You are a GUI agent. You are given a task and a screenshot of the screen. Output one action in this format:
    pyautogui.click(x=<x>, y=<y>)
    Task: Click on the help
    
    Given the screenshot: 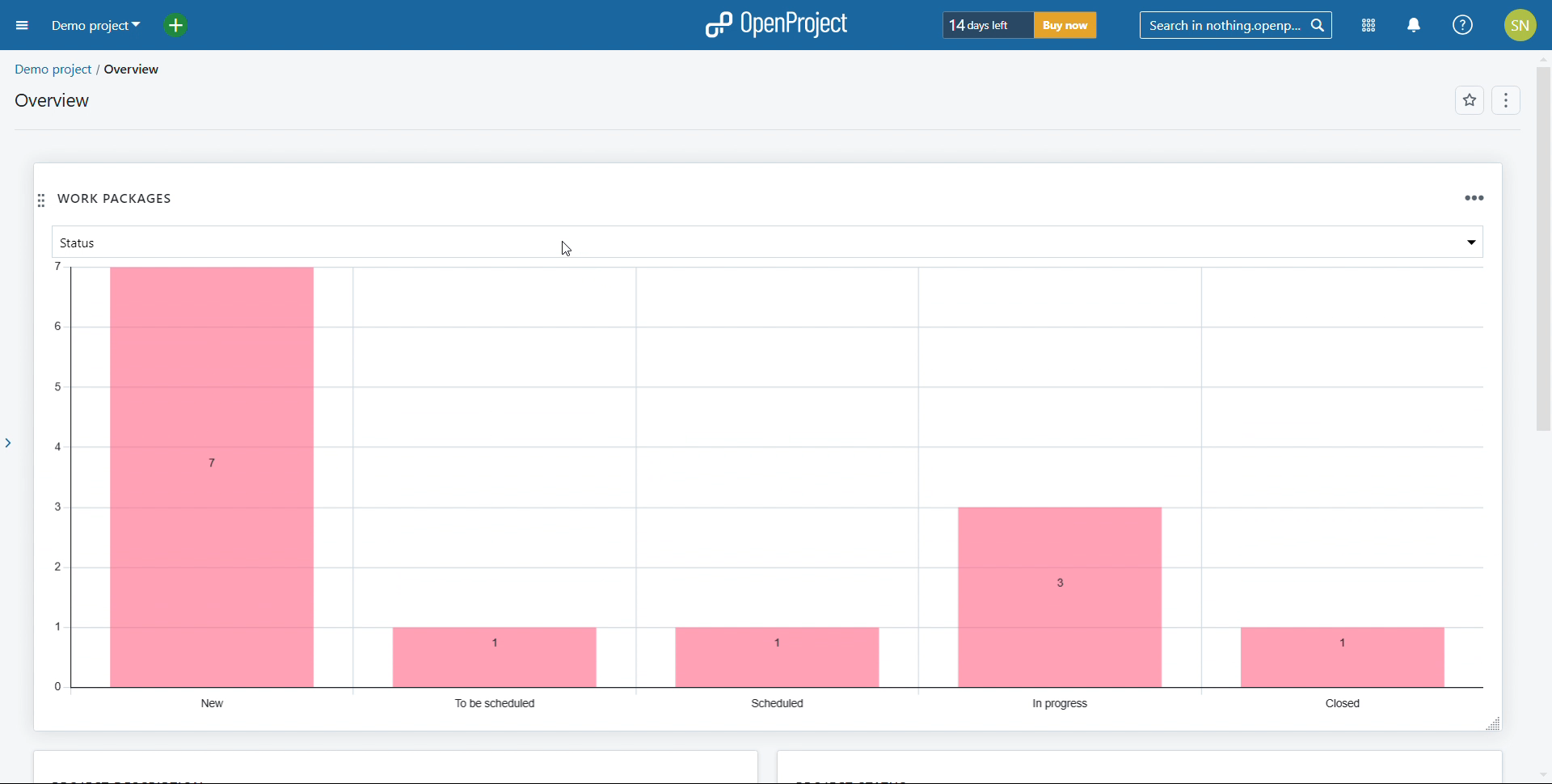 What is the action you would take?
    pyautogui.click(x=1462, y=25)
    